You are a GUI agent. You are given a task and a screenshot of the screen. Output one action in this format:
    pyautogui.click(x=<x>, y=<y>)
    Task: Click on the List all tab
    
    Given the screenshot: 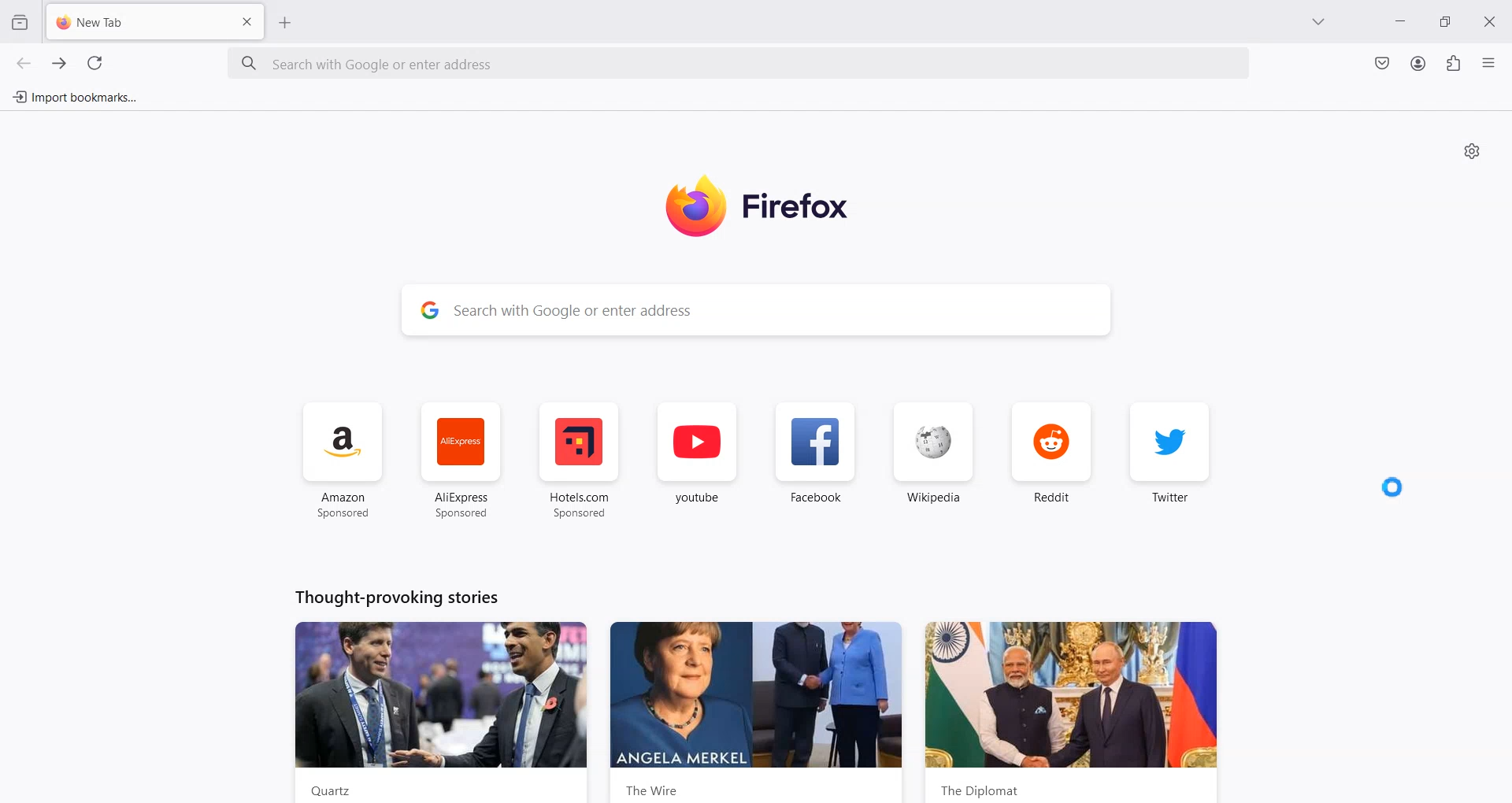 What is the action you would take?
    pyautogui.click(x=1319, y=23)
    